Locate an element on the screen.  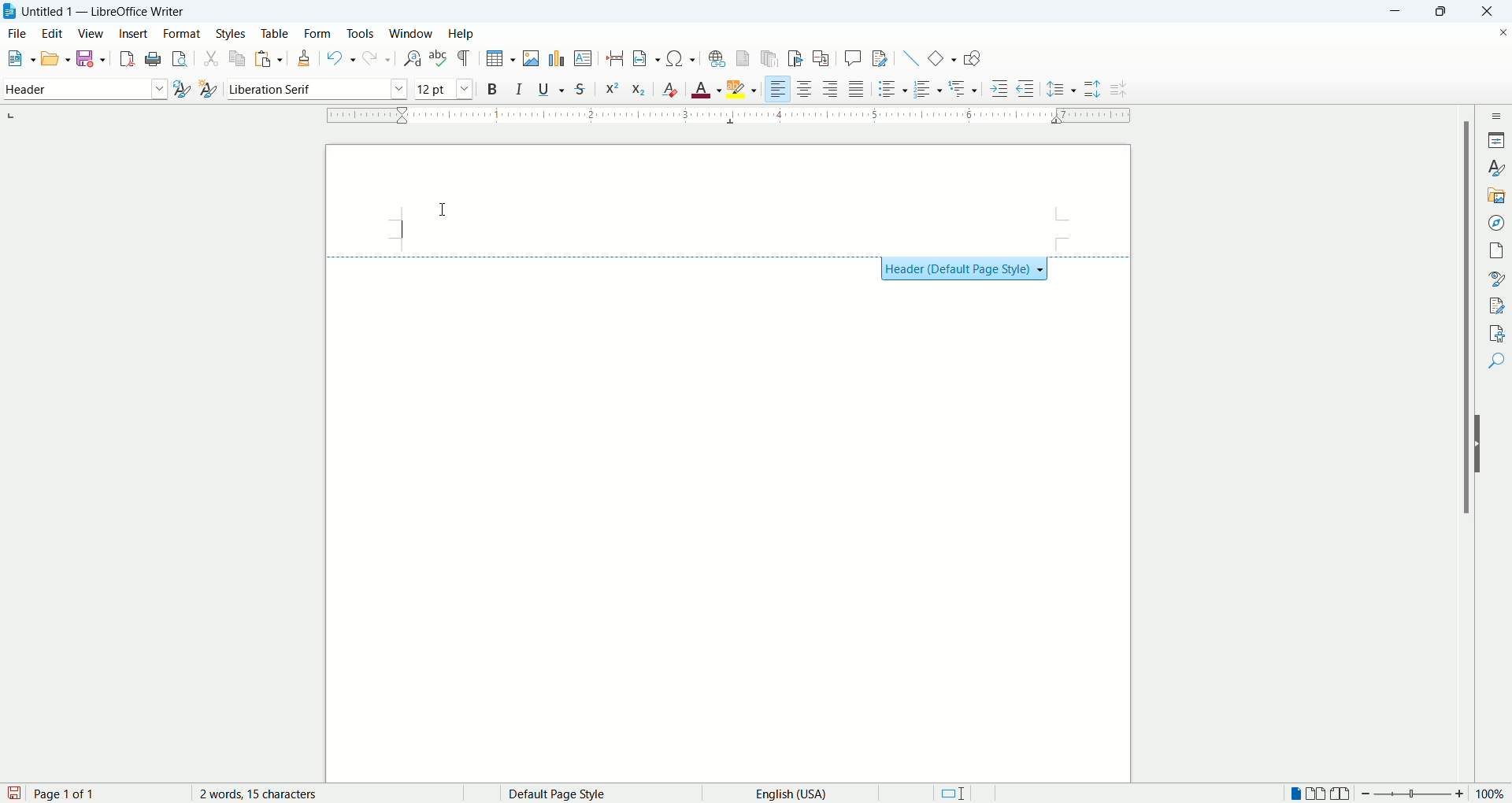
main page is located at coordinates (727, 533).